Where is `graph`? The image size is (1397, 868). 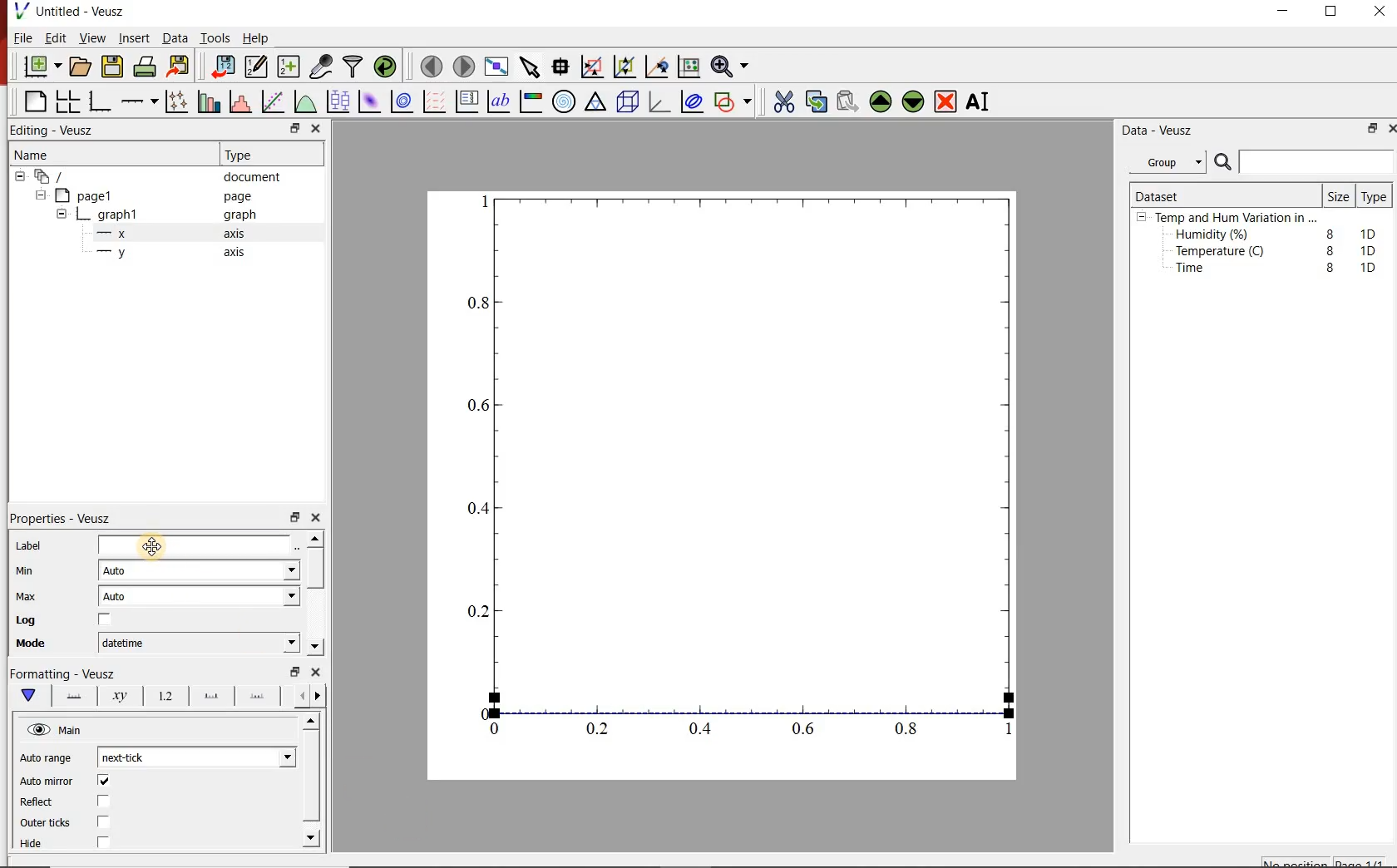 graph is located at coordinates (239, 216).